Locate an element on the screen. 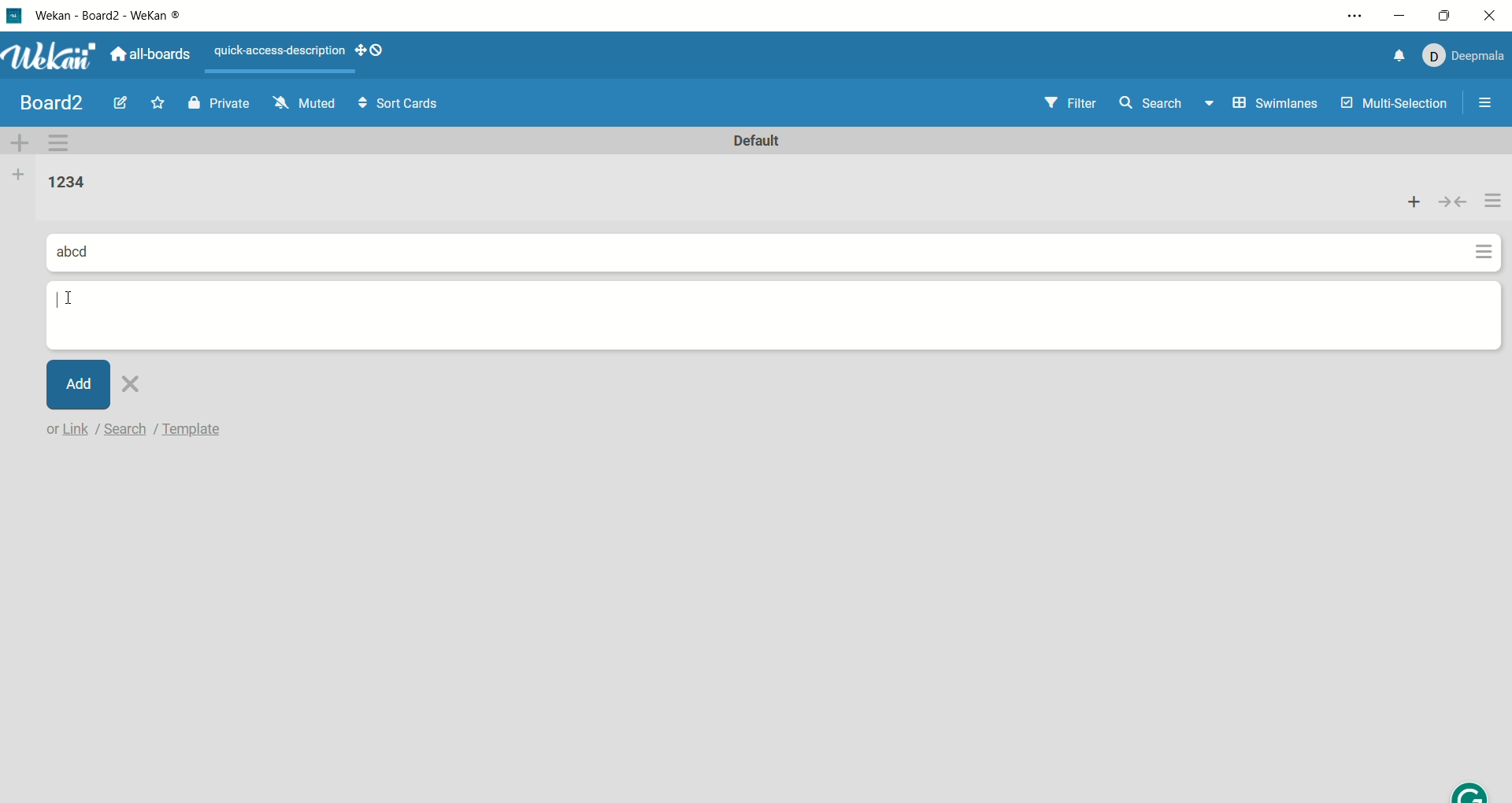 This screenshot has width=1512, height=803. cursor is located at coordinates (67, 296).